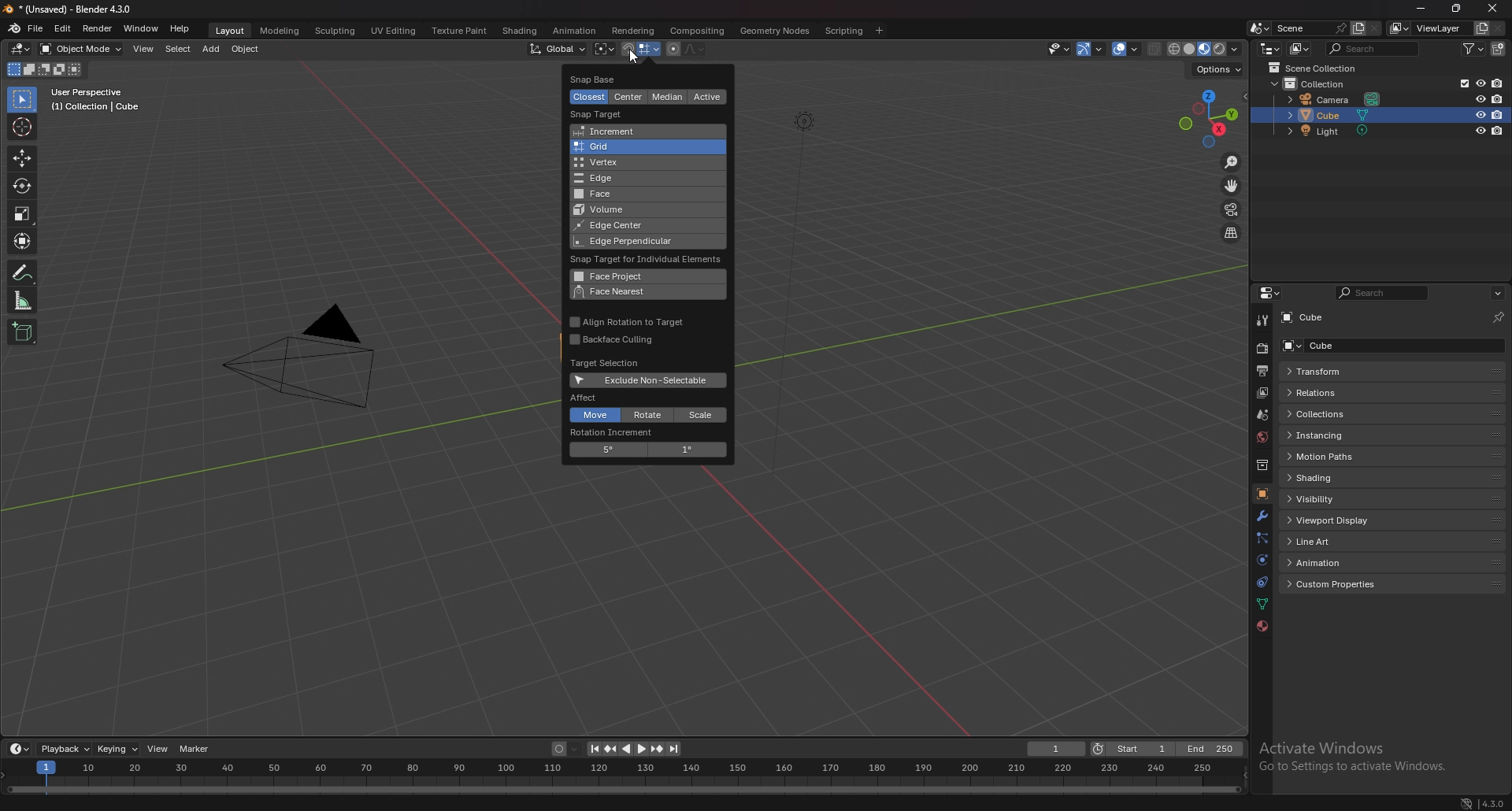 The height and width of the screenshot is (811, 1512). What do you see at coordinates (1310, 28) in the screenshot?
I see `scene` at bounding box center [1310, 28].